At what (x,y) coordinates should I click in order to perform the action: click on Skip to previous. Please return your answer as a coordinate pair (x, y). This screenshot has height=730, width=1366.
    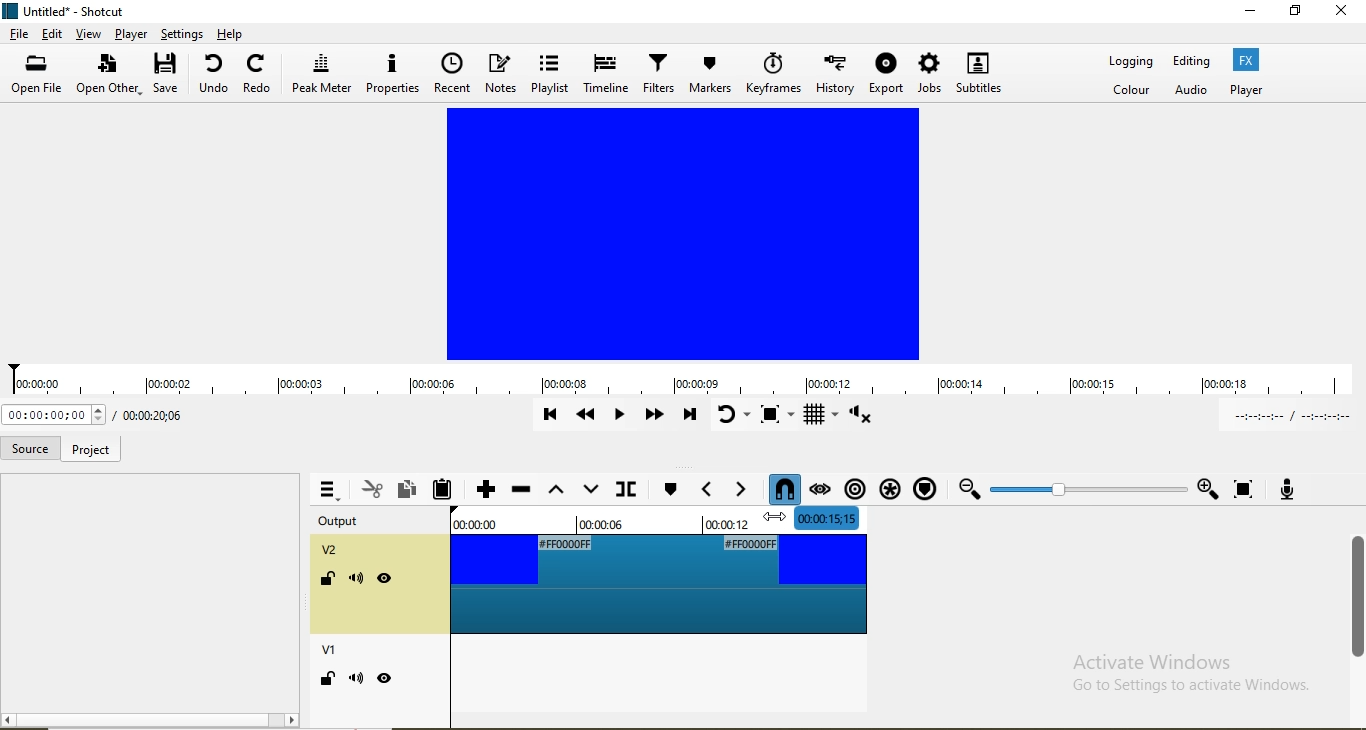
    Looking at the image, I should click on (550, 415).